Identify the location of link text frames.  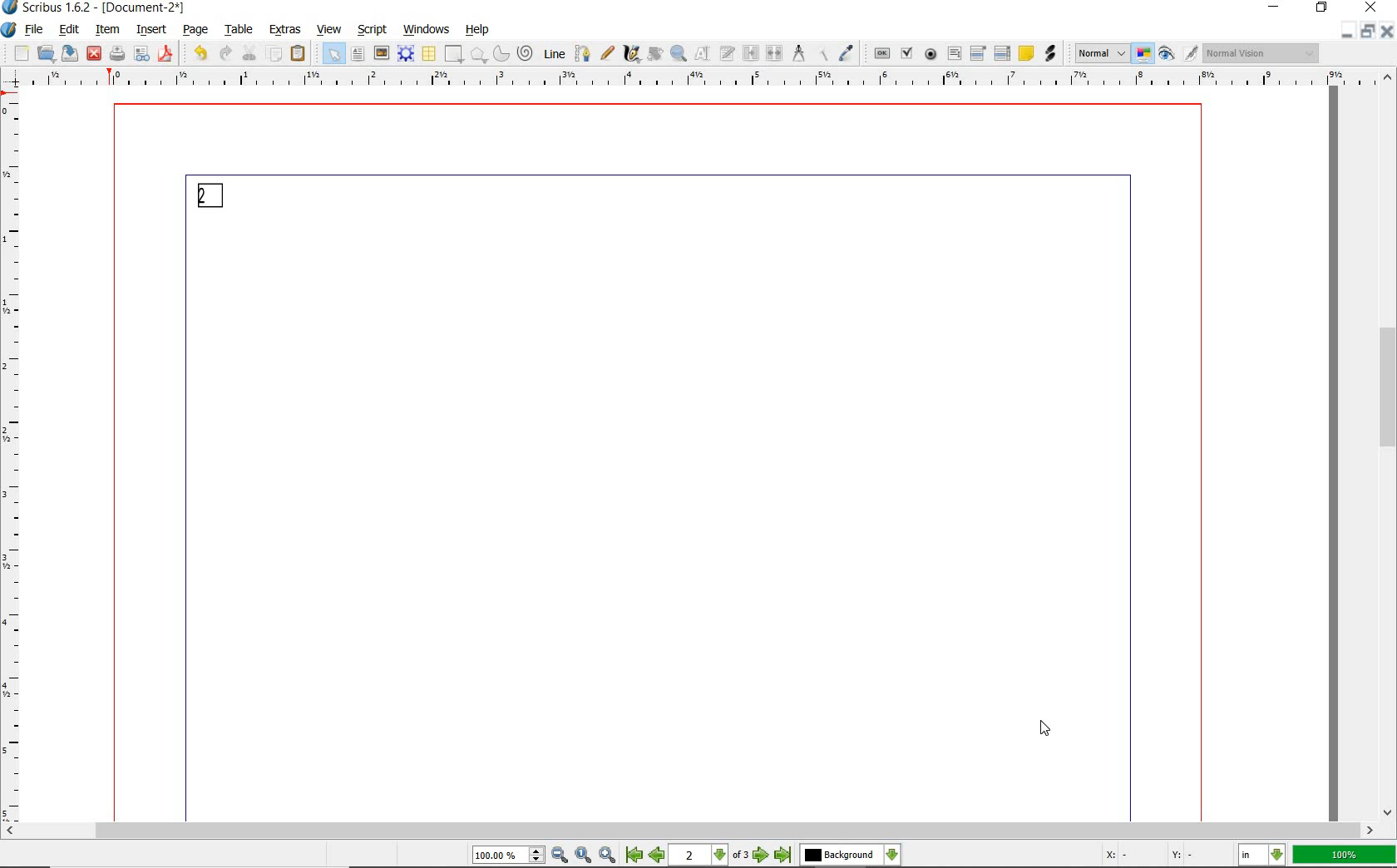
(751, 53).